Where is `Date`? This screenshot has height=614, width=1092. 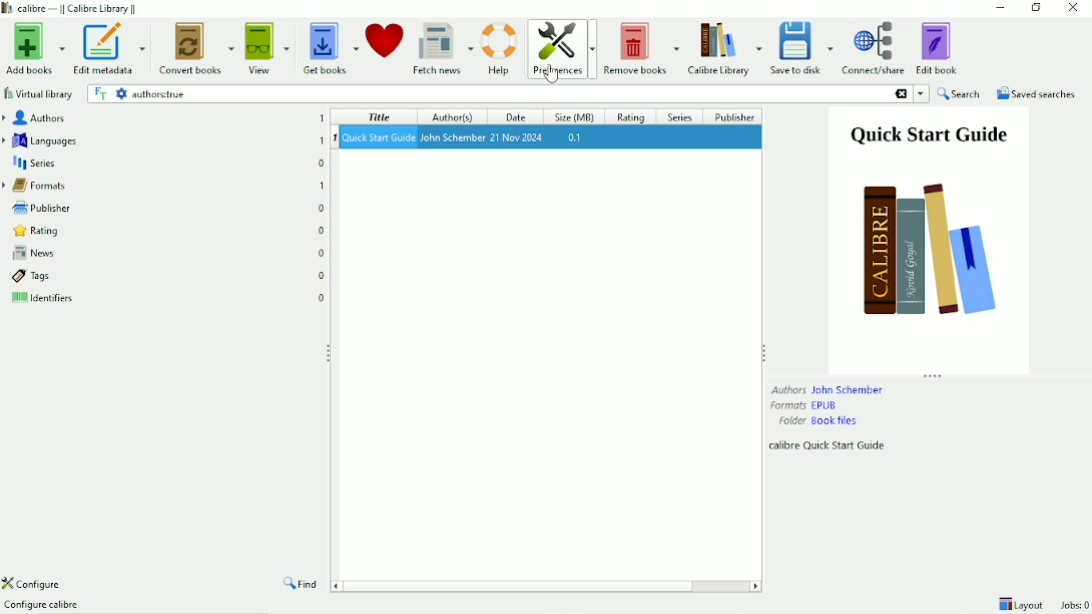 Date is located at coordinates (520, 116).